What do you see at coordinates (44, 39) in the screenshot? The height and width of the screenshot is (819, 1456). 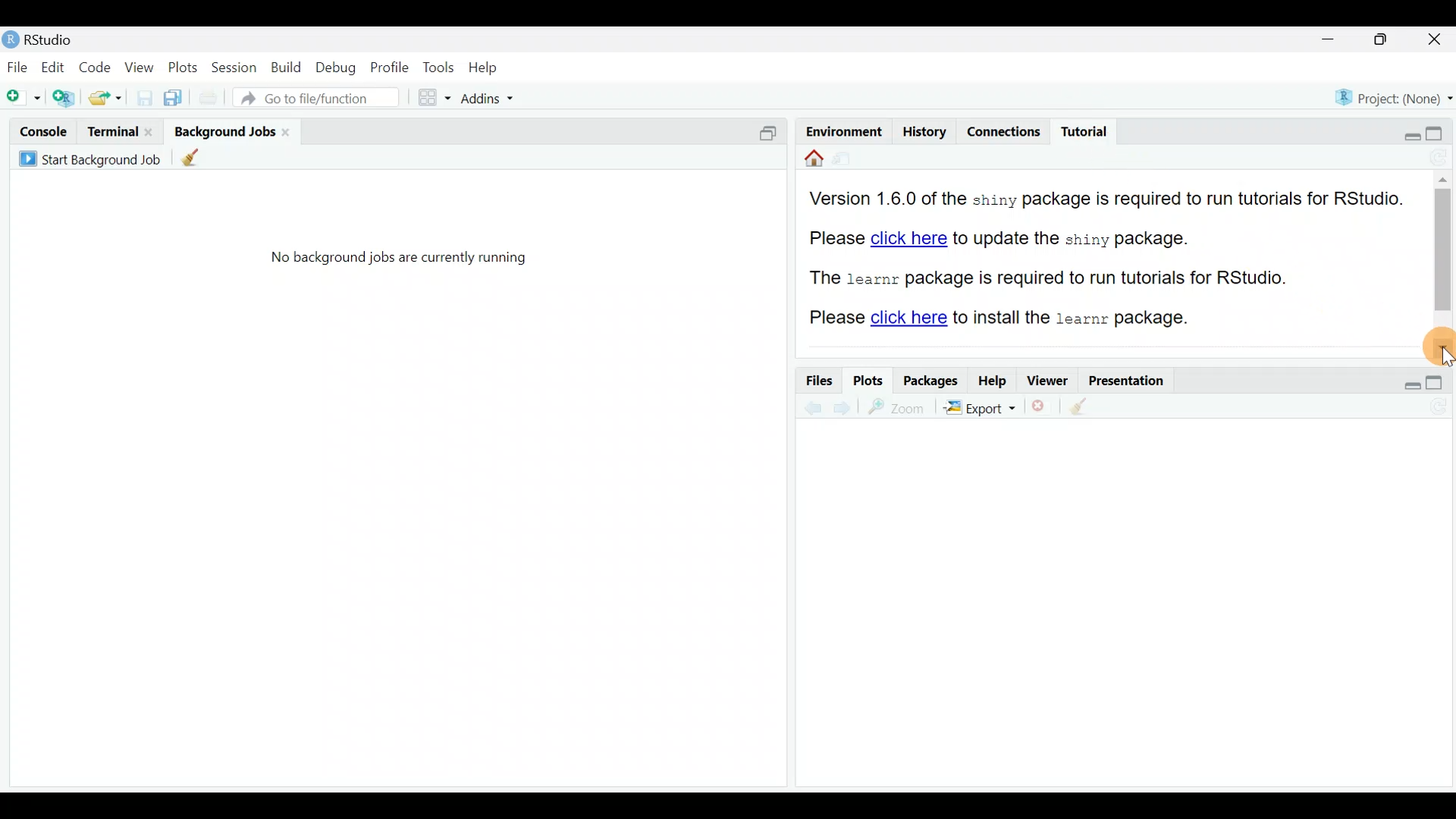 I see `RStudio` at bounding box center [44, 39].